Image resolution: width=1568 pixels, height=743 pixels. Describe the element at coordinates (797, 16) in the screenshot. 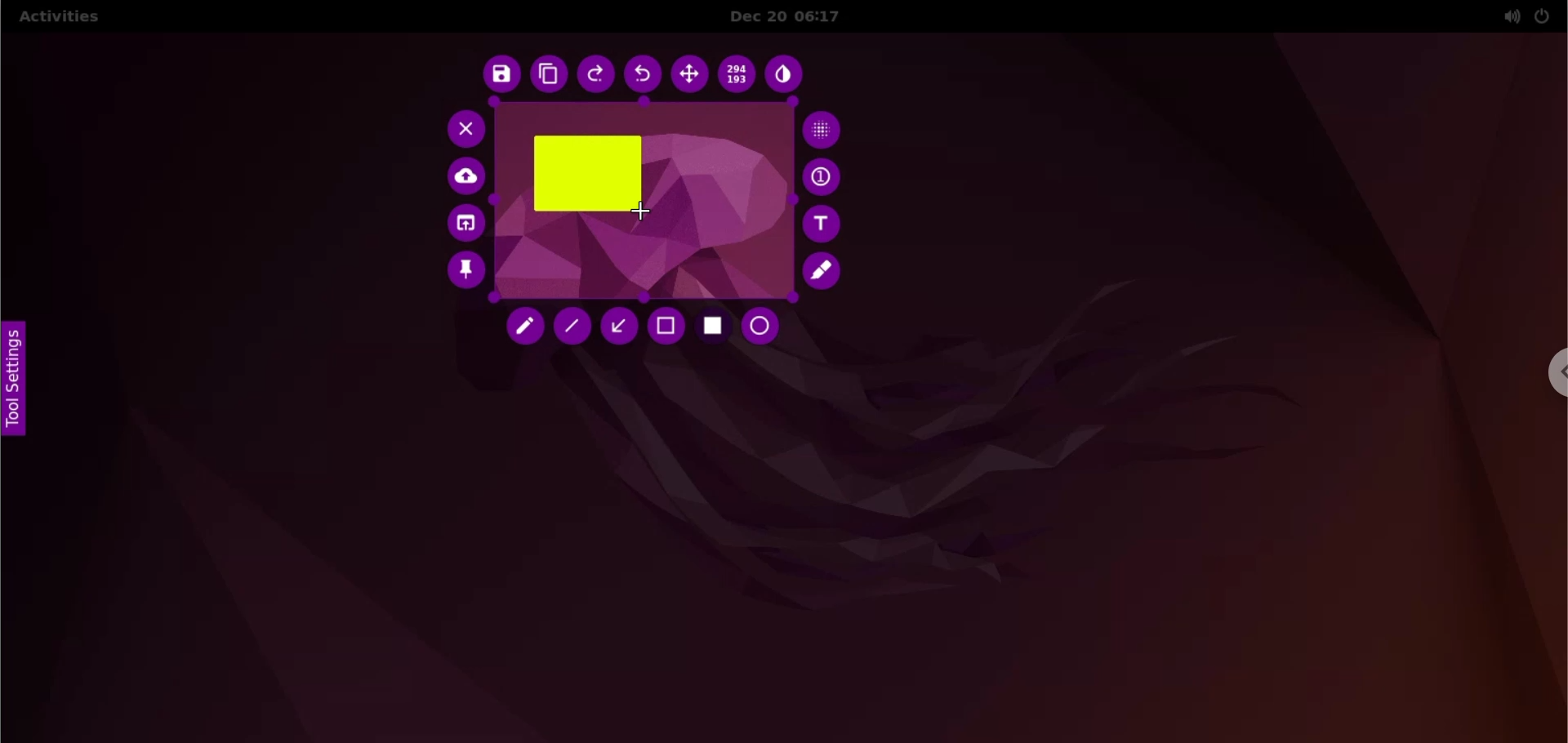

I see `Dec 20 06:17` at that location.